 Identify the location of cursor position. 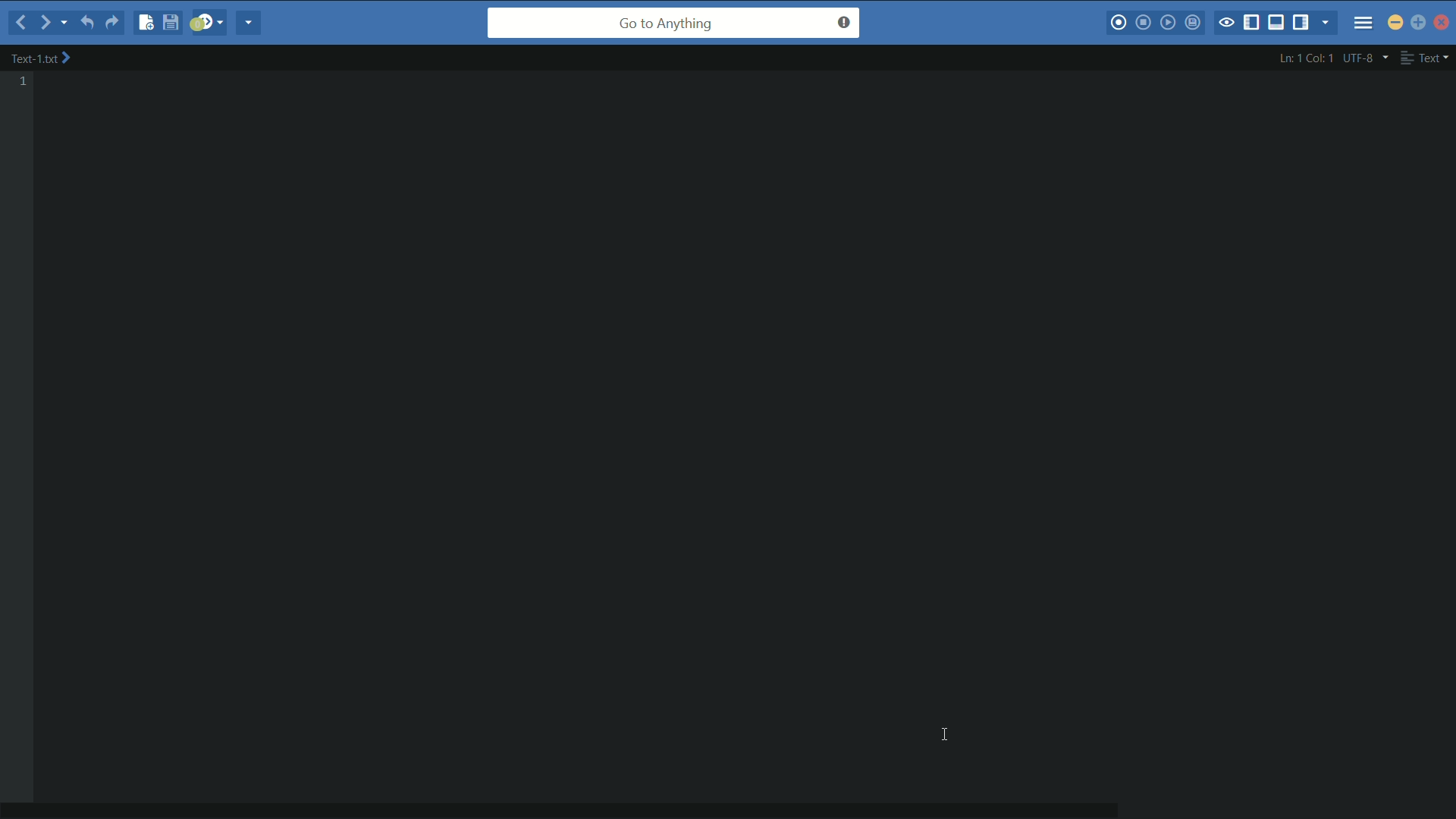
(1304, 57).